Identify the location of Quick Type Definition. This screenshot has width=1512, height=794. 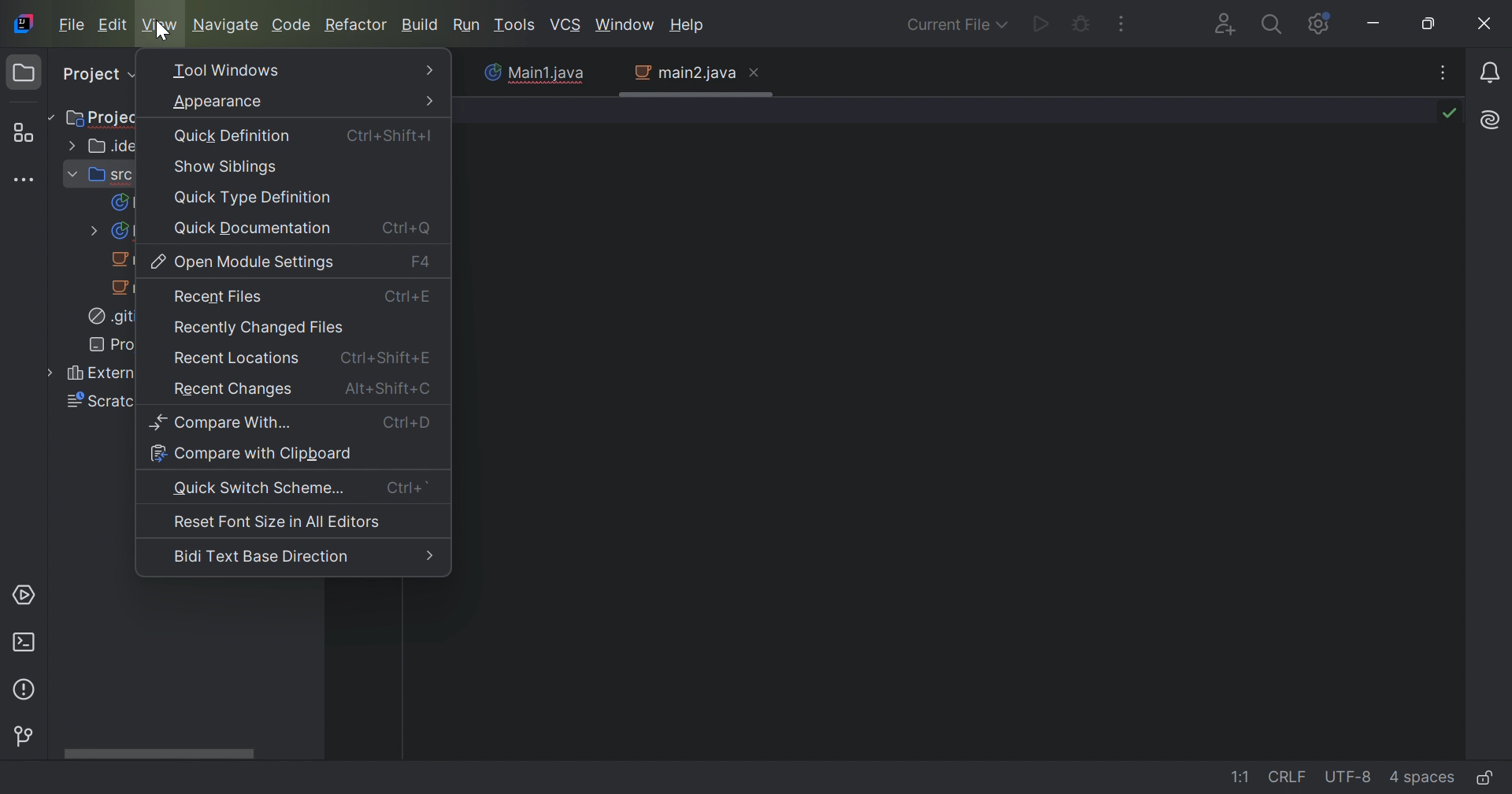
(256, 198).